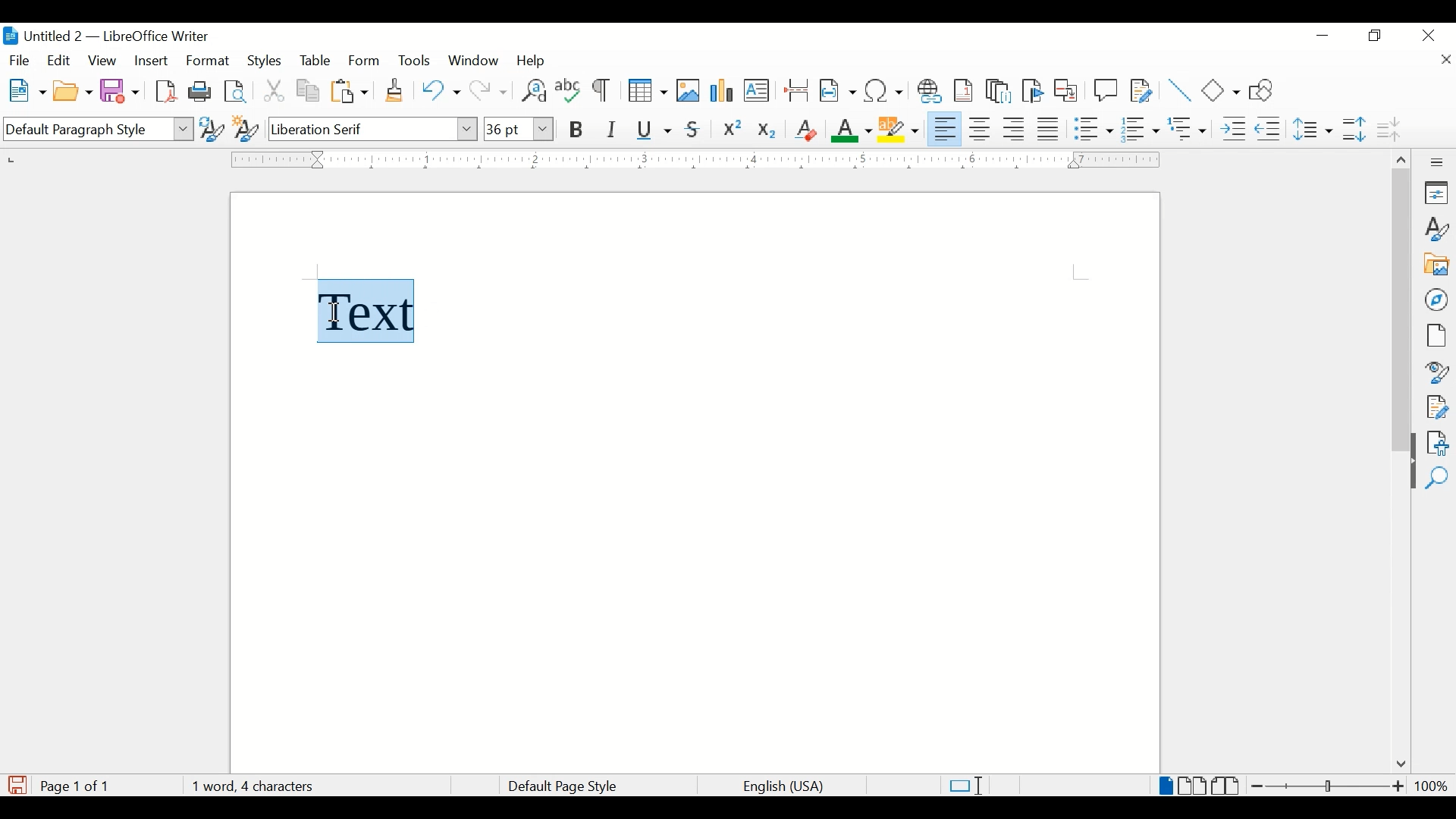  What do you see at coordinates (104, 61) in the screenshot?
I see `view` at bounding box center [104, 61].